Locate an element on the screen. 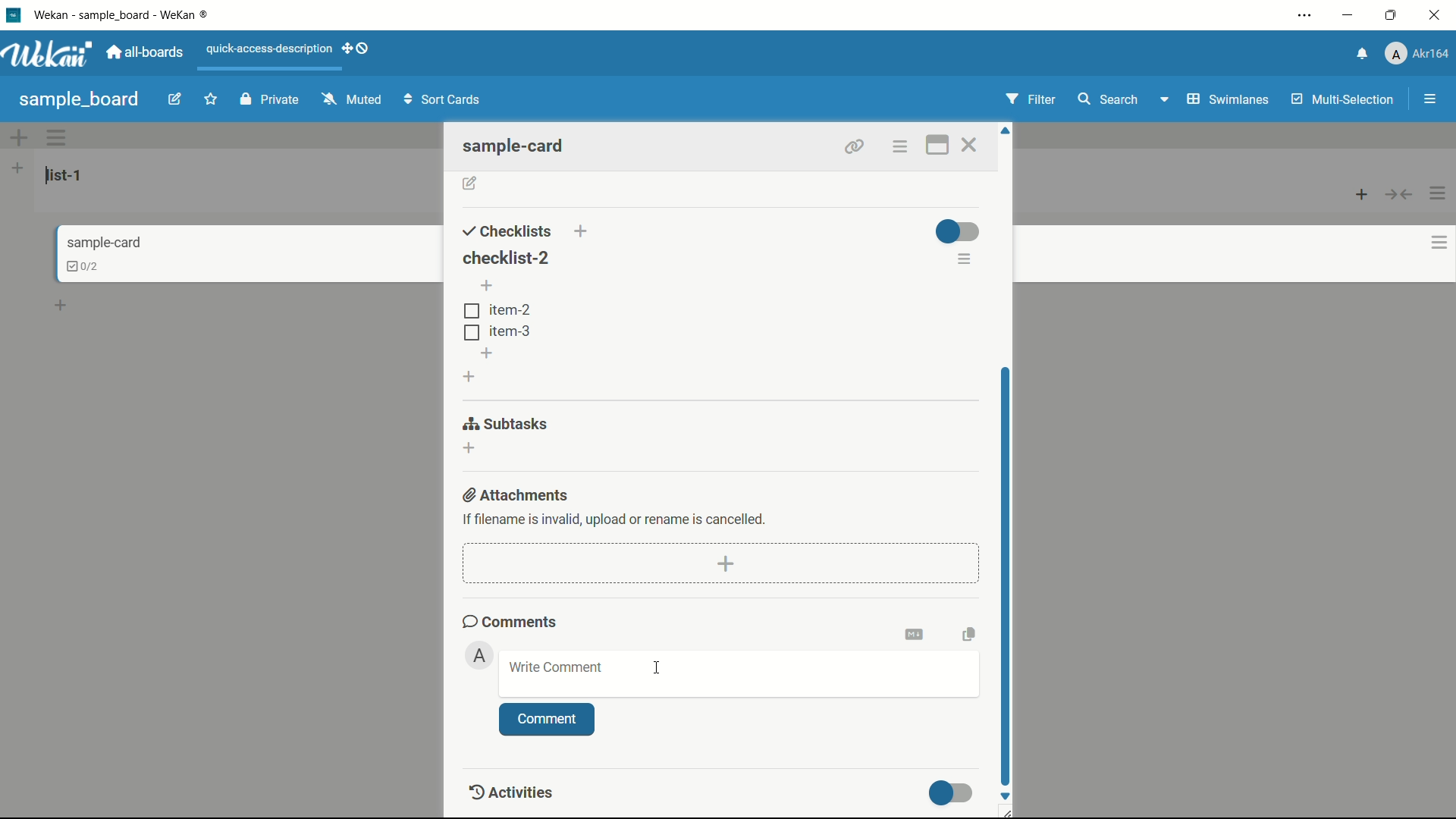  minimize is located at coordinates (1350, 15).